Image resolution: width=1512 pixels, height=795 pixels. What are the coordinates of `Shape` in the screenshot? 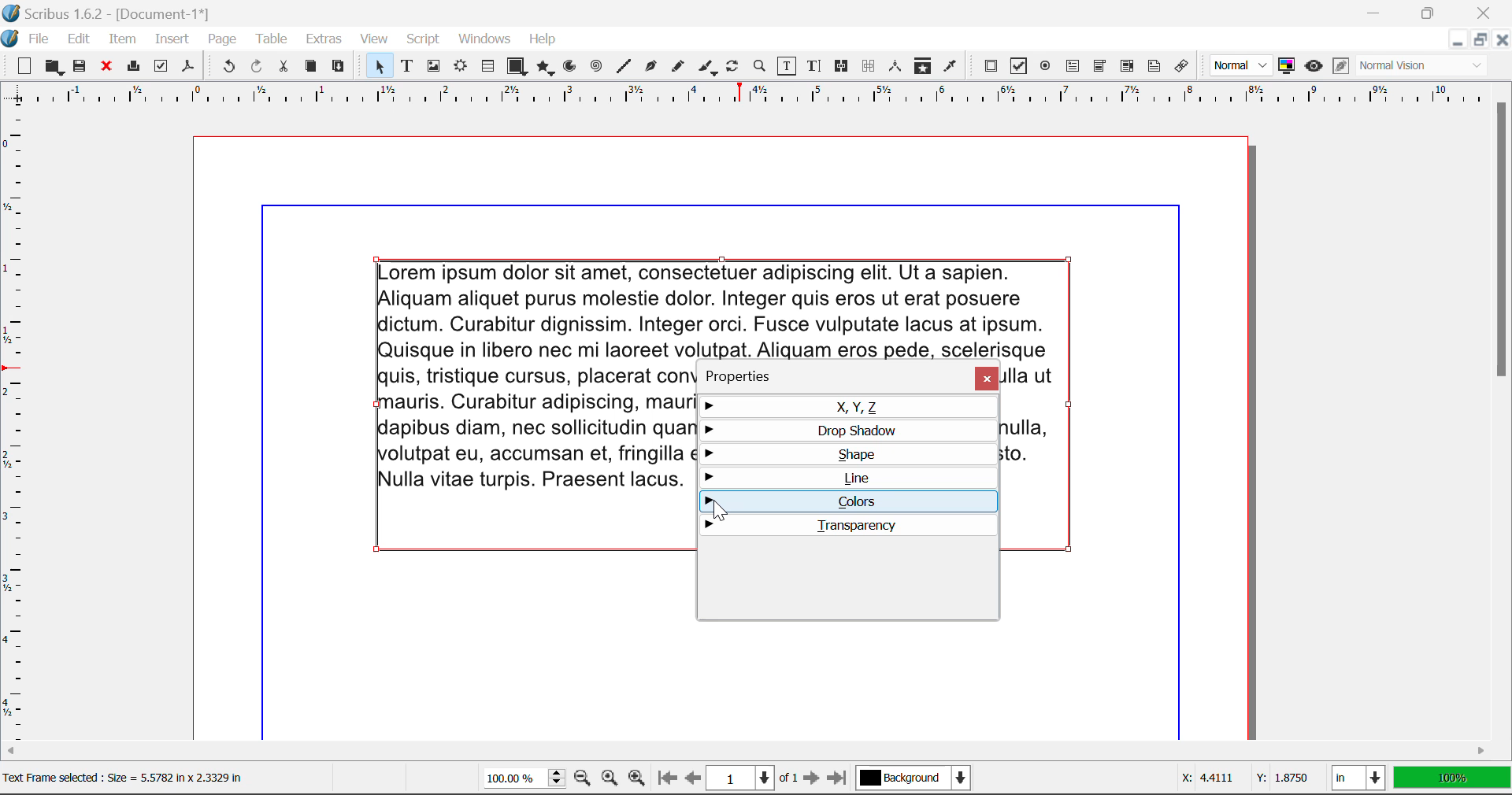 It's located at (850, 453).